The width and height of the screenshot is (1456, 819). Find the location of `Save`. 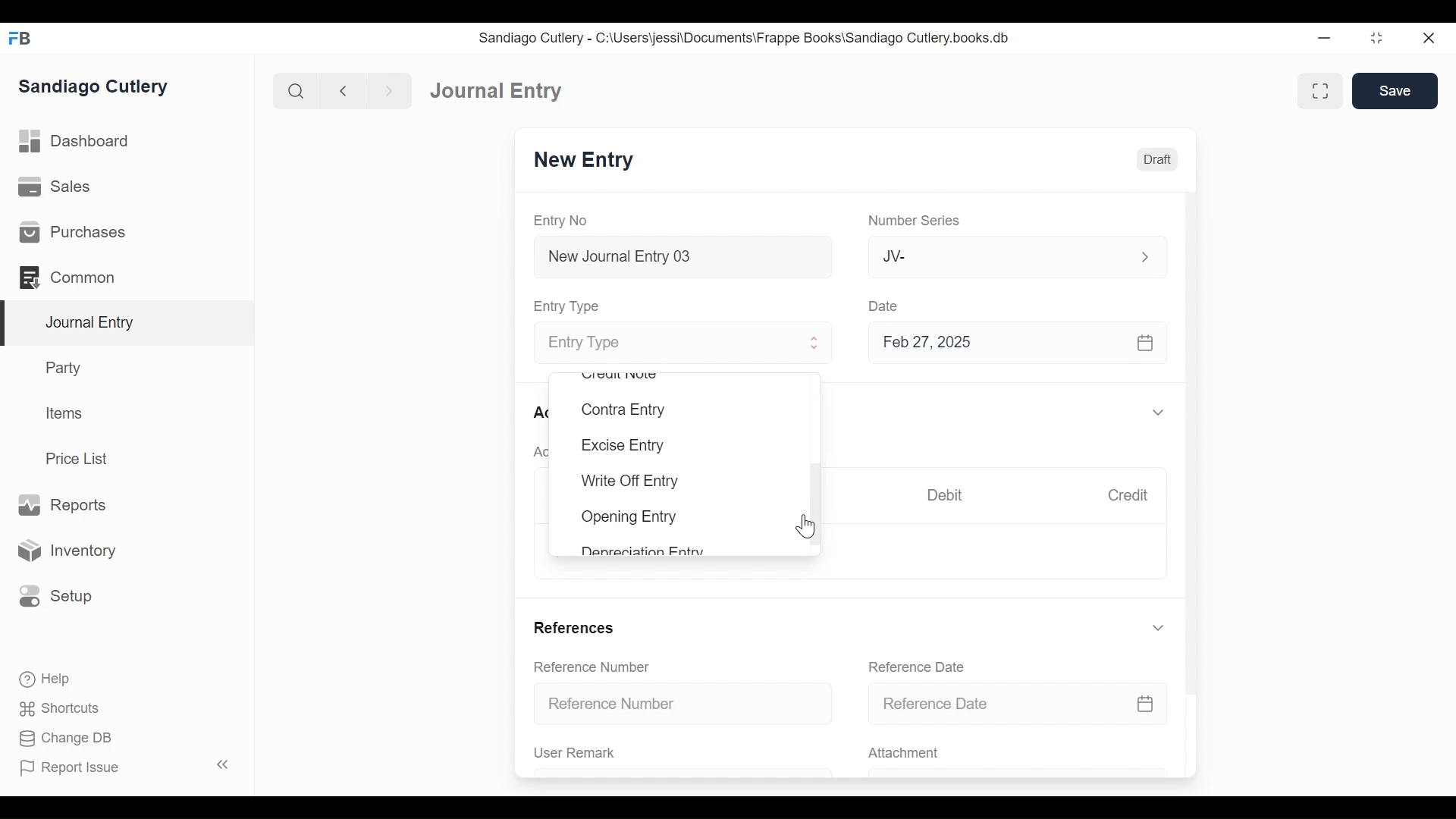

Save is located at coordinates (1397, 91).